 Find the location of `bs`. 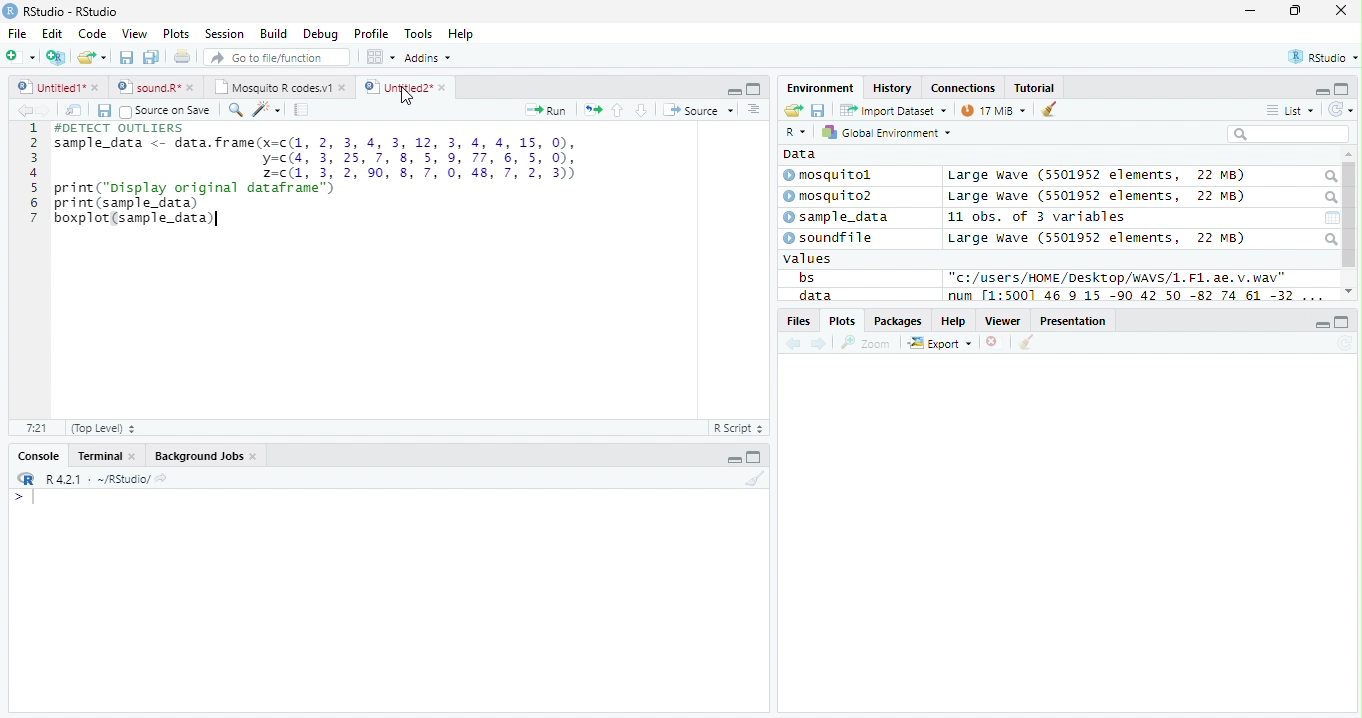

bs is located at coordinates (806, 277).